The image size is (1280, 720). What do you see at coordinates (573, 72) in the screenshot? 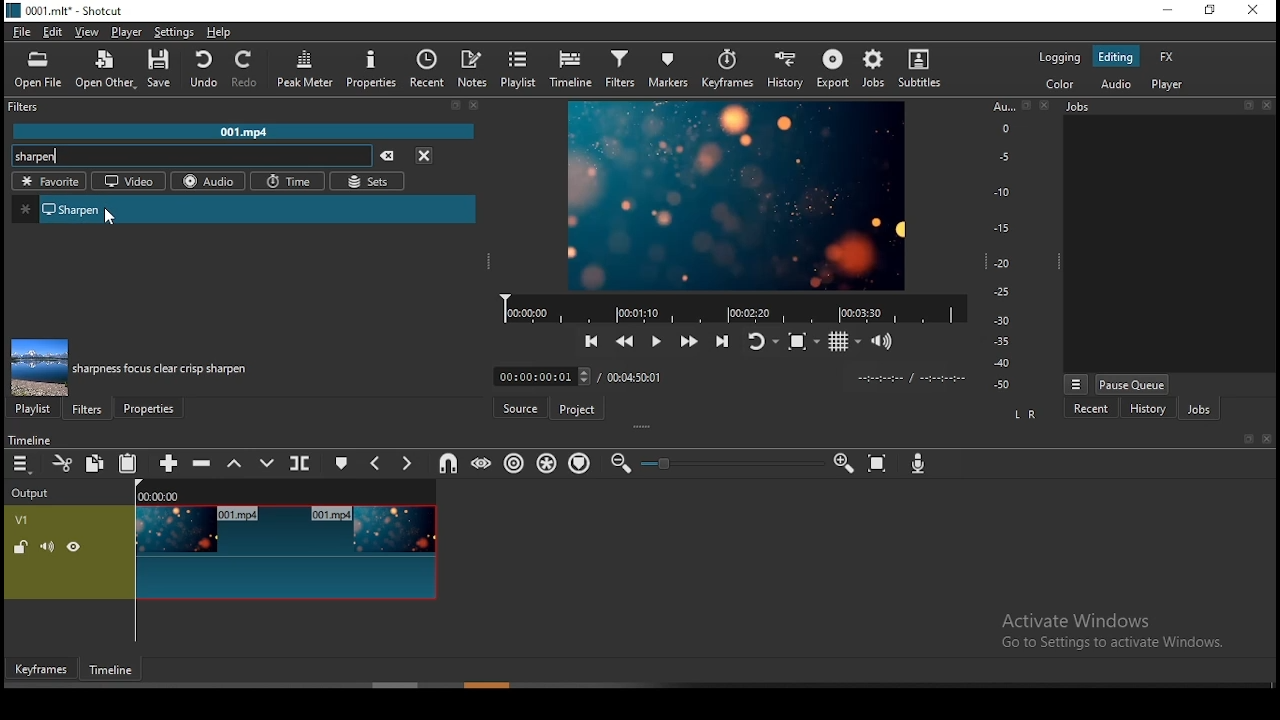
I see `timeline` at bounding box center [573, 72].